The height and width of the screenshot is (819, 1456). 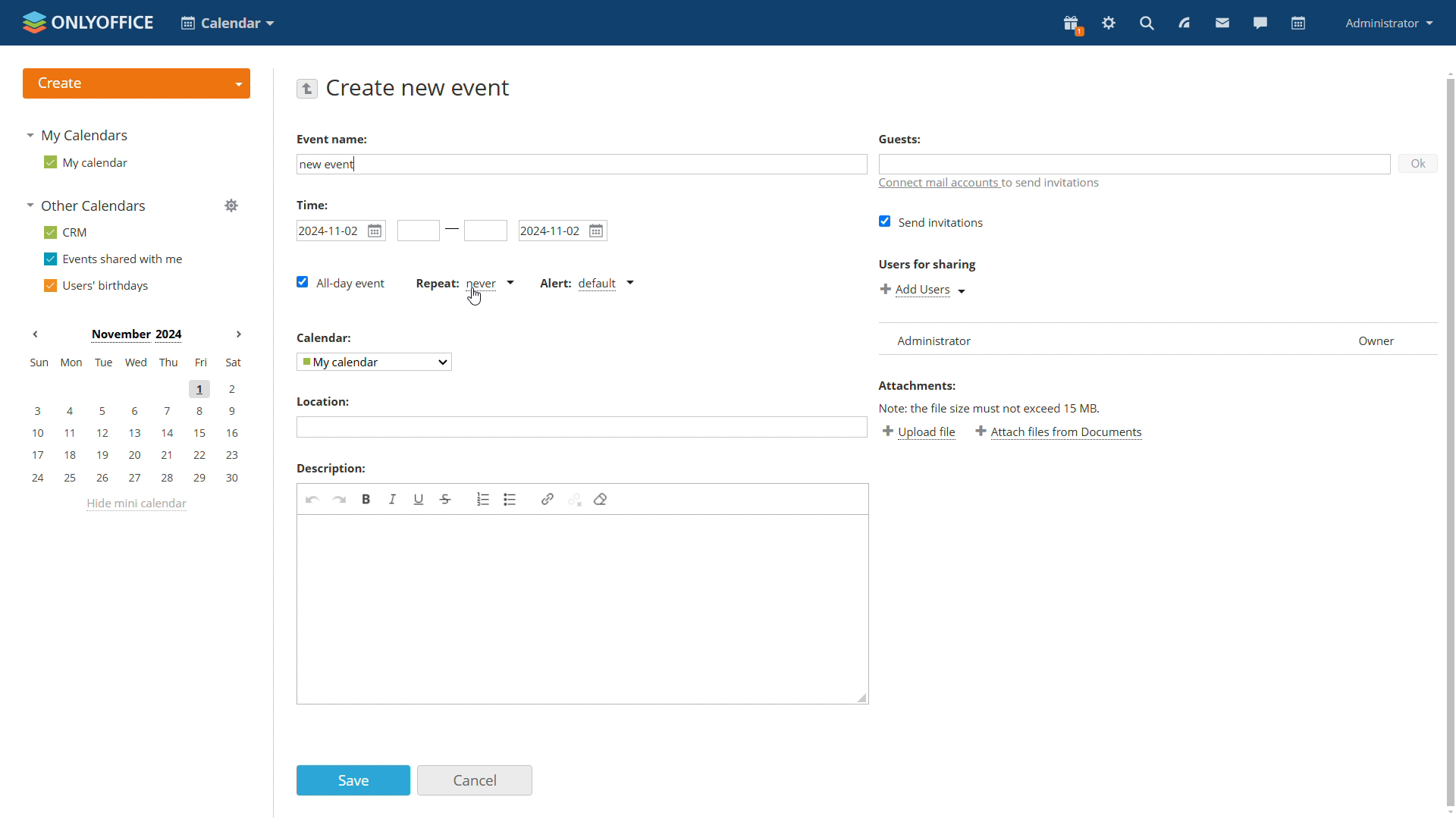 What do you see at coordinates (928, 222) in the screenshot?
I see `send invitations` at bounding box center [928, 222].